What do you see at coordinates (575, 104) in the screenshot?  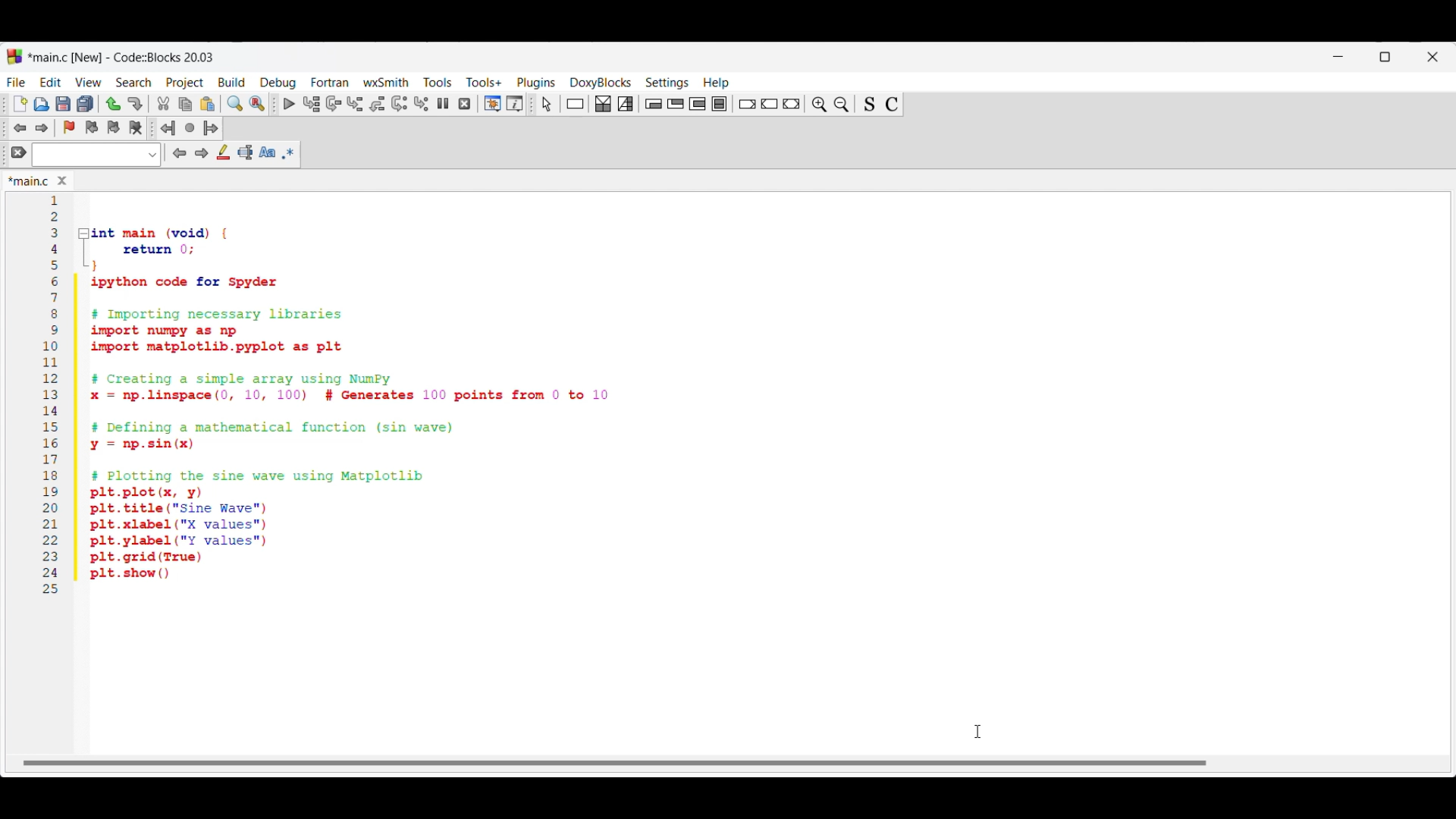 I see `Instruction` at bounding box center [575, 104].